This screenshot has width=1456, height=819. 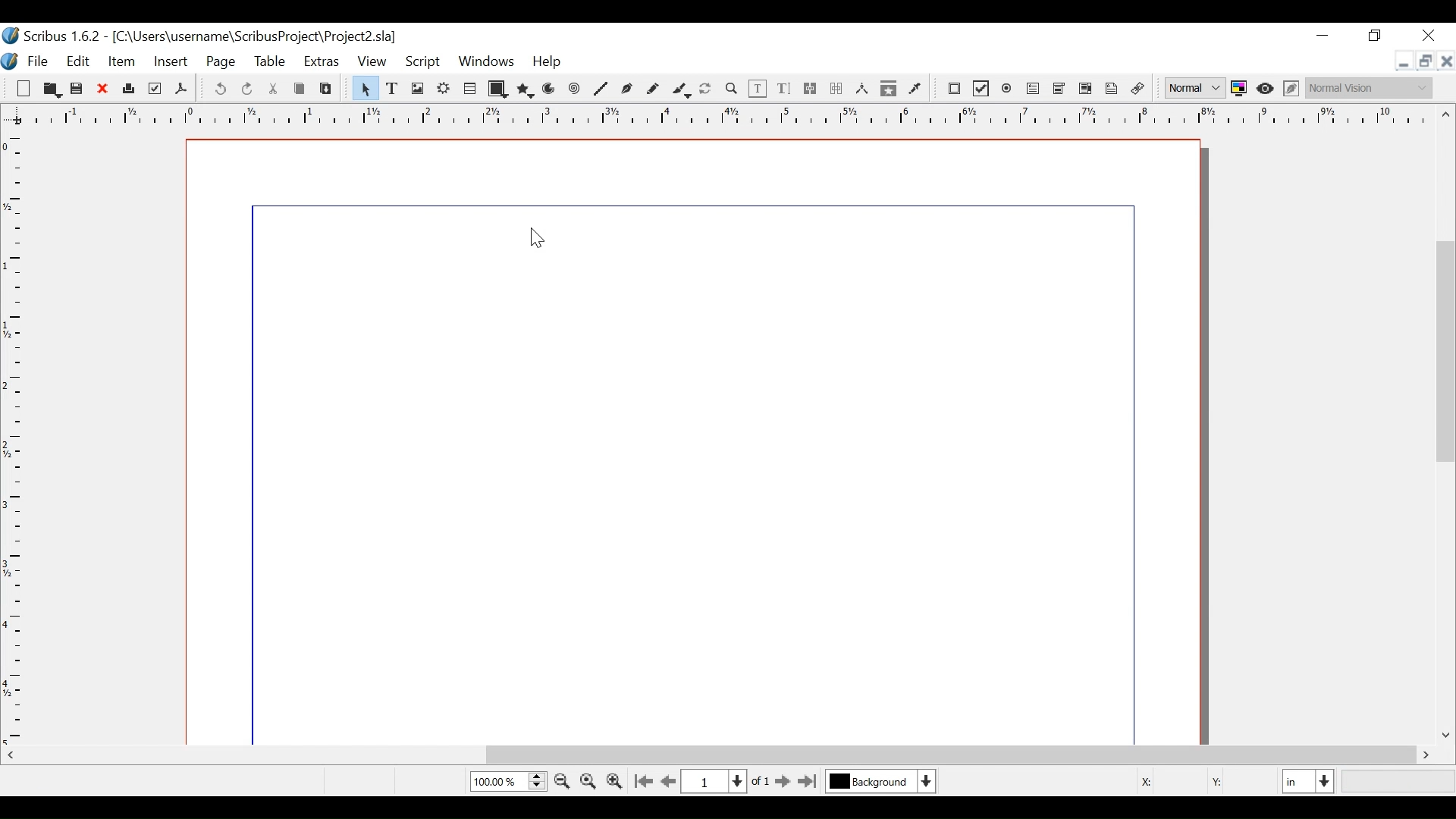 I want to click on Scribus Desktop Icon, so click(x=53, y=35).